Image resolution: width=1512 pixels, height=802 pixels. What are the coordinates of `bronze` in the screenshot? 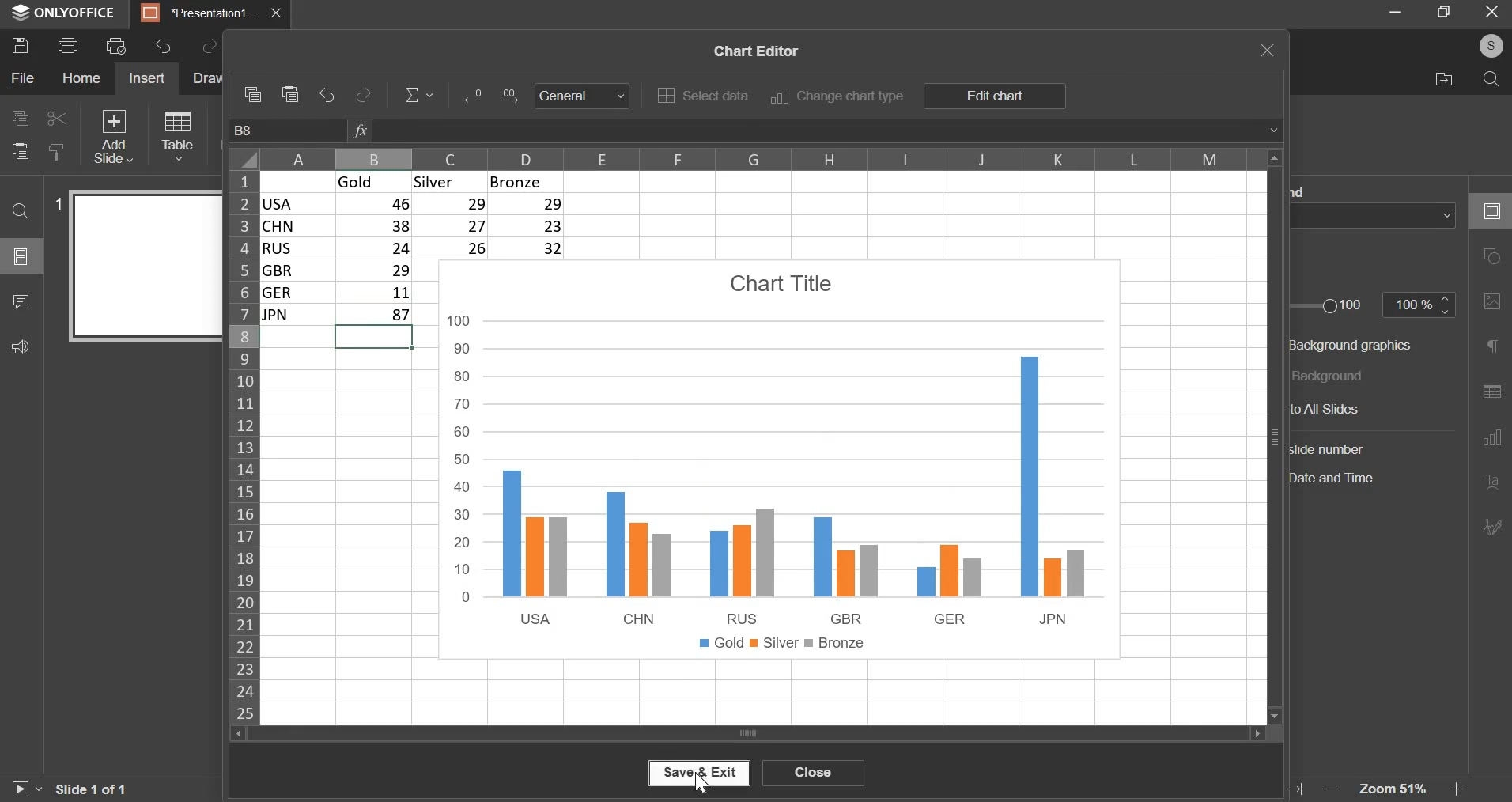 It's located at (524, 182).